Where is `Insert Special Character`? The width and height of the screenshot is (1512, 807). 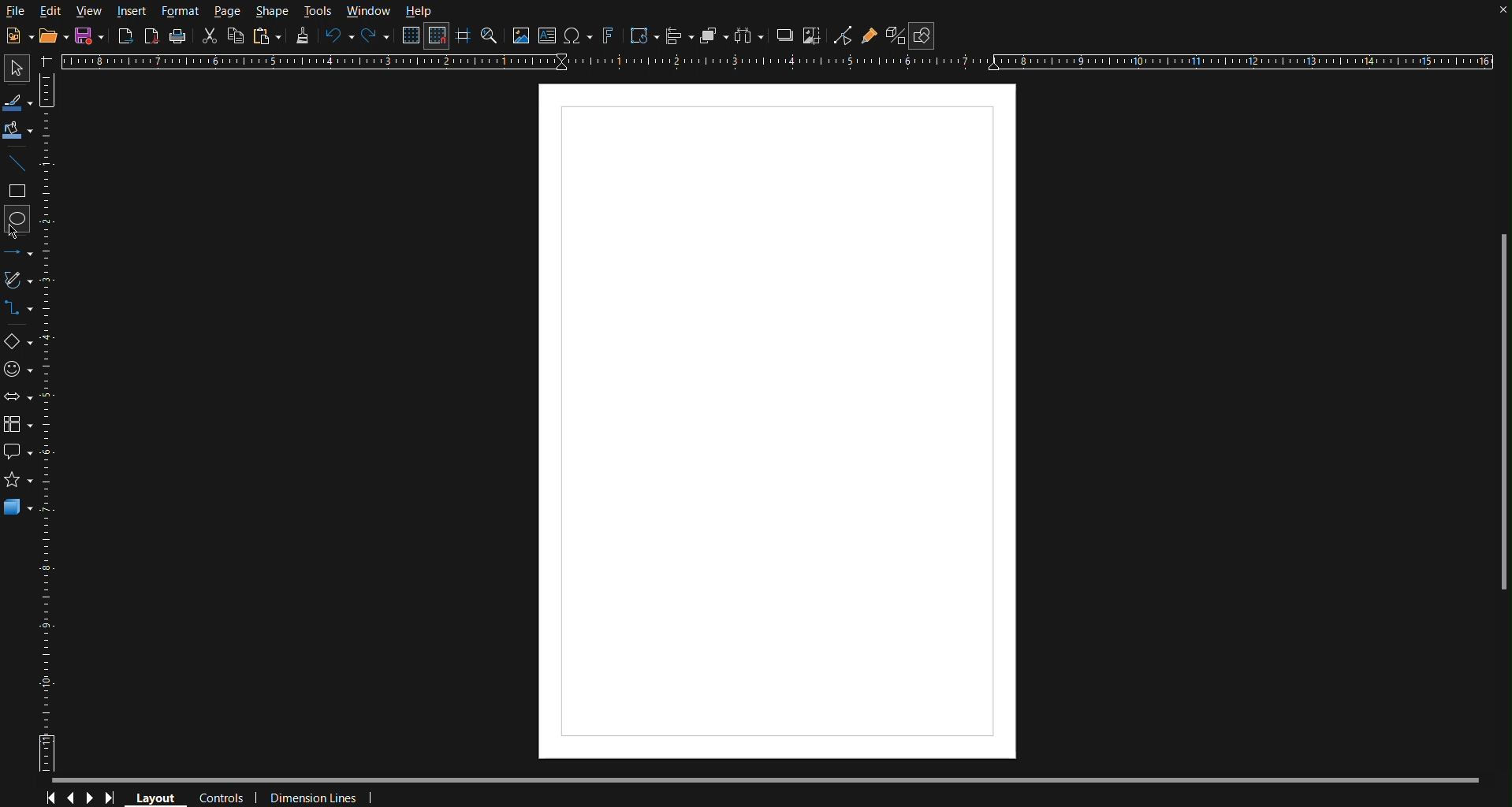 Insert Special Character is located at coordinates (579, 36).